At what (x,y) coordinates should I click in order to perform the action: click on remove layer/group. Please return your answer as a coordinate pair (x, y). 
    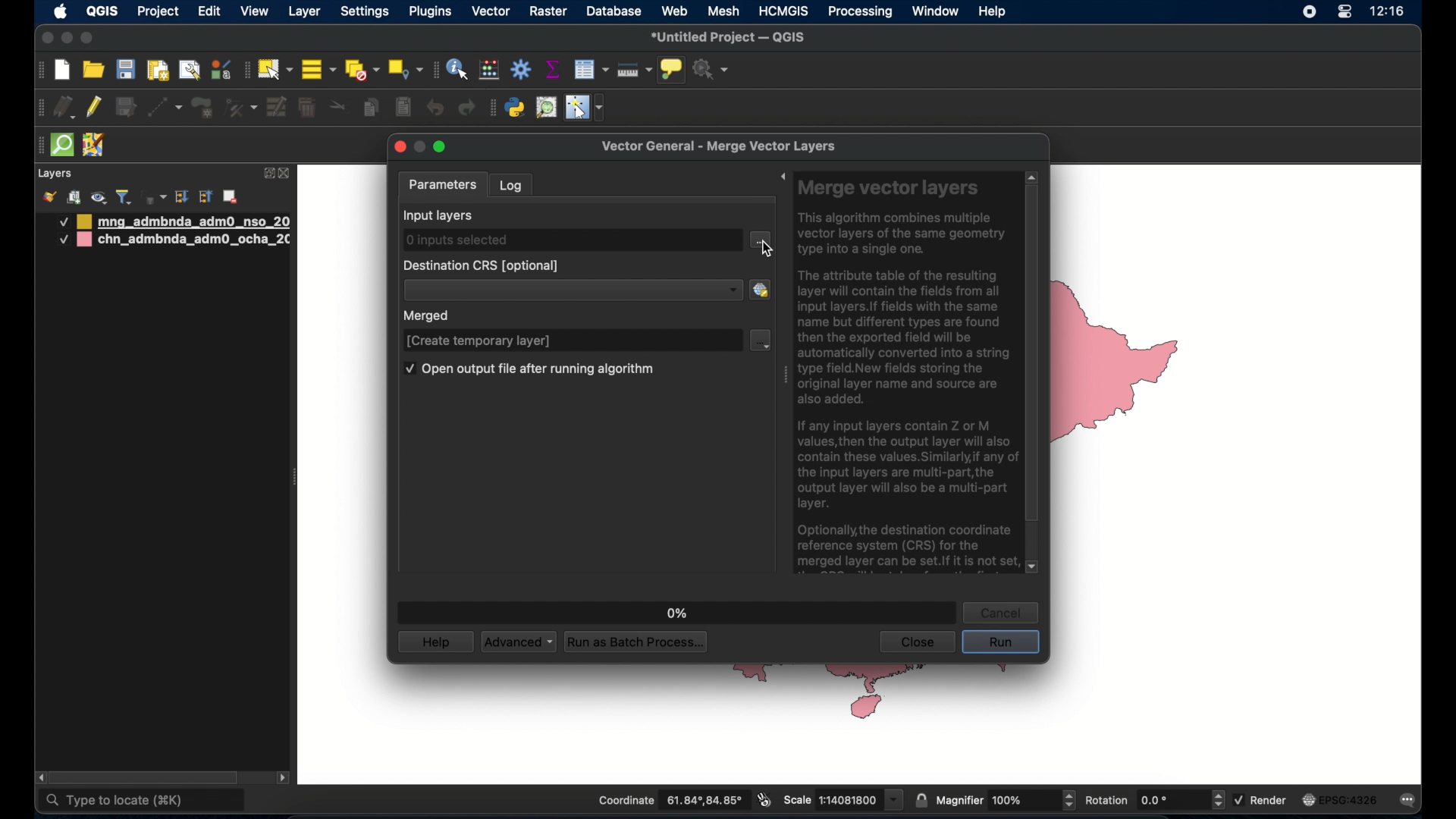
    Looking at the image, I should click on (233, 196).